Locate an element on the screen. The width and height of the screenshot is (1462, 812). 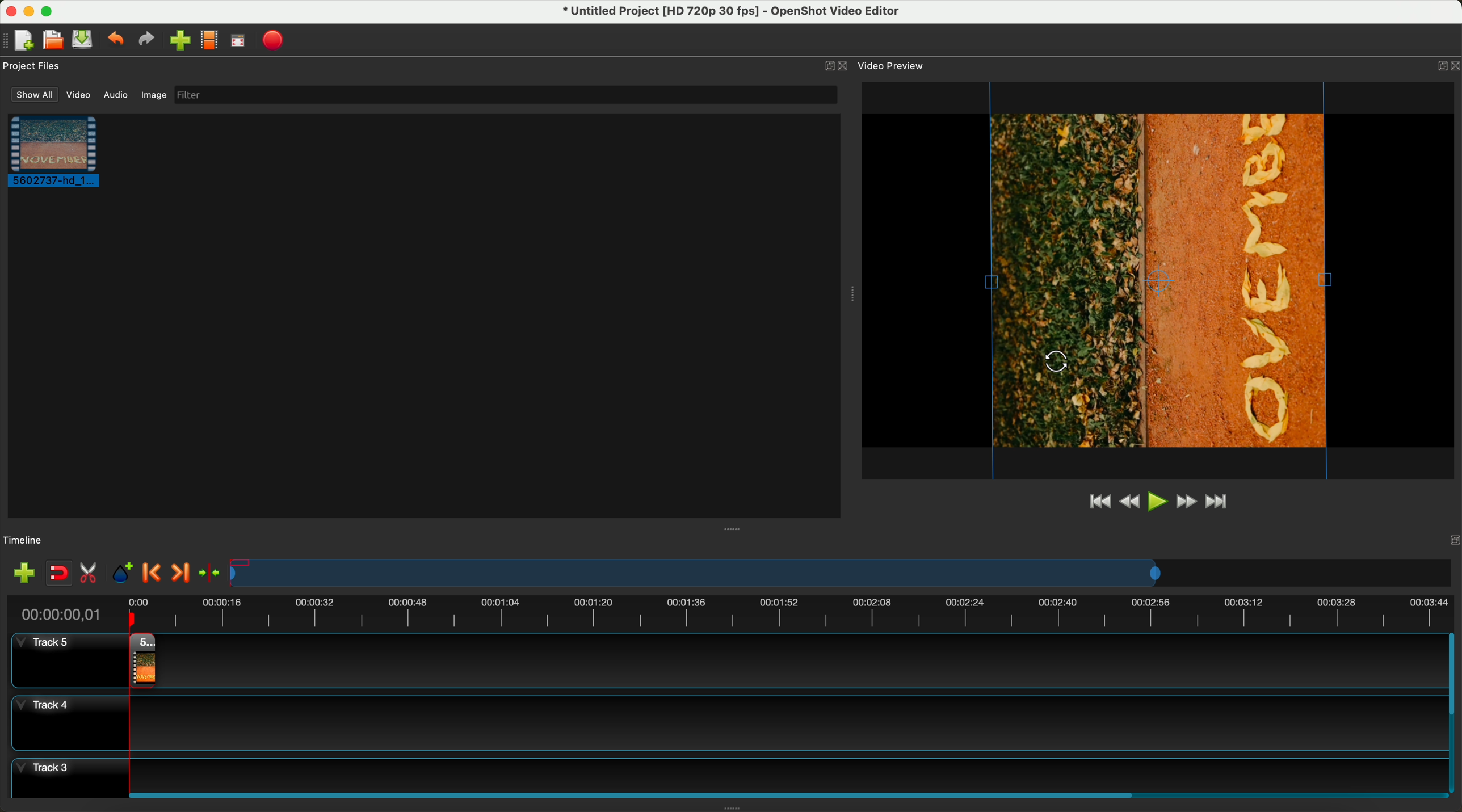
show all is located at coordinates (34, 94).